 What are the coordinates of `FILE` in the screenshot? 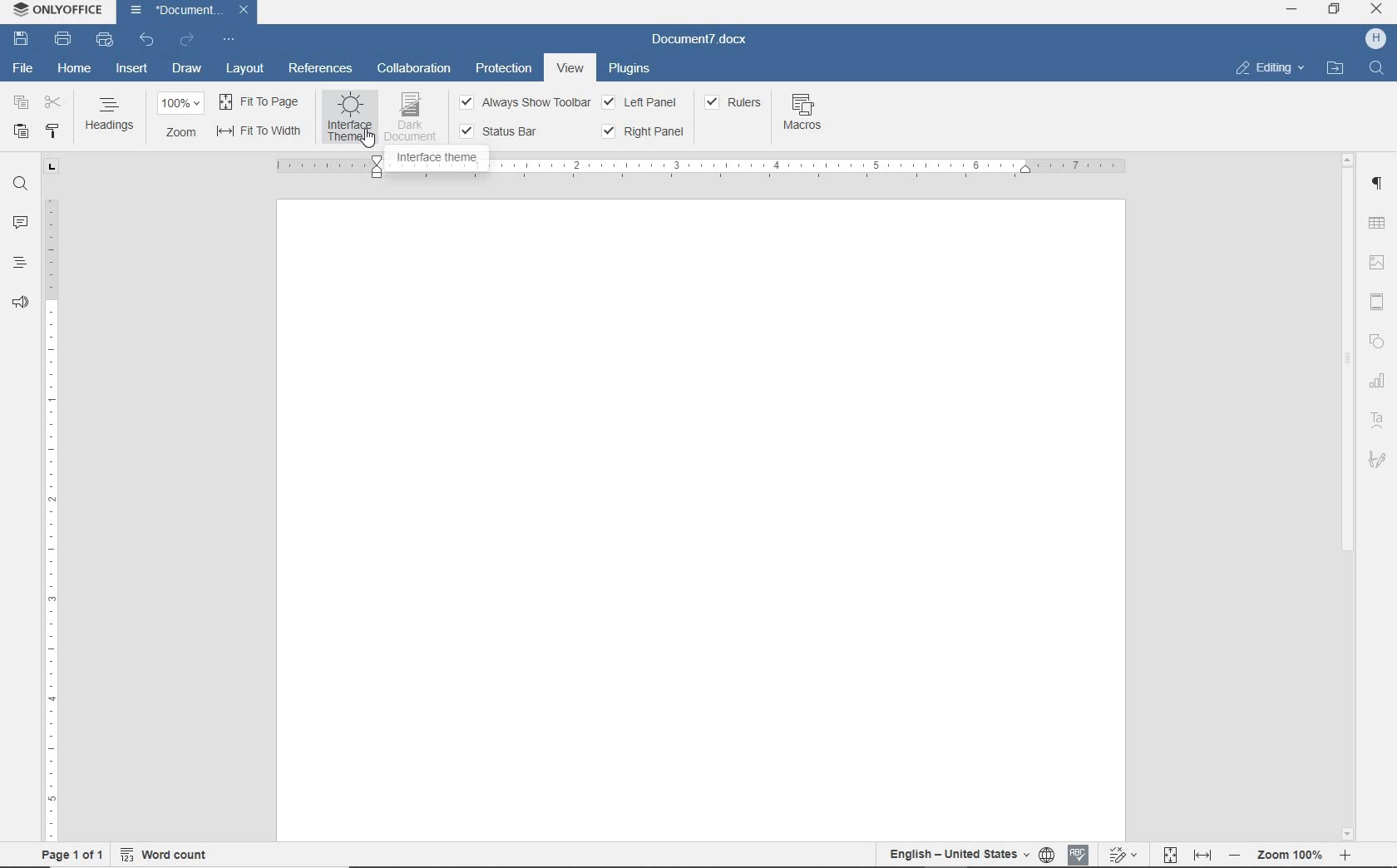 It's located at (22, 71).